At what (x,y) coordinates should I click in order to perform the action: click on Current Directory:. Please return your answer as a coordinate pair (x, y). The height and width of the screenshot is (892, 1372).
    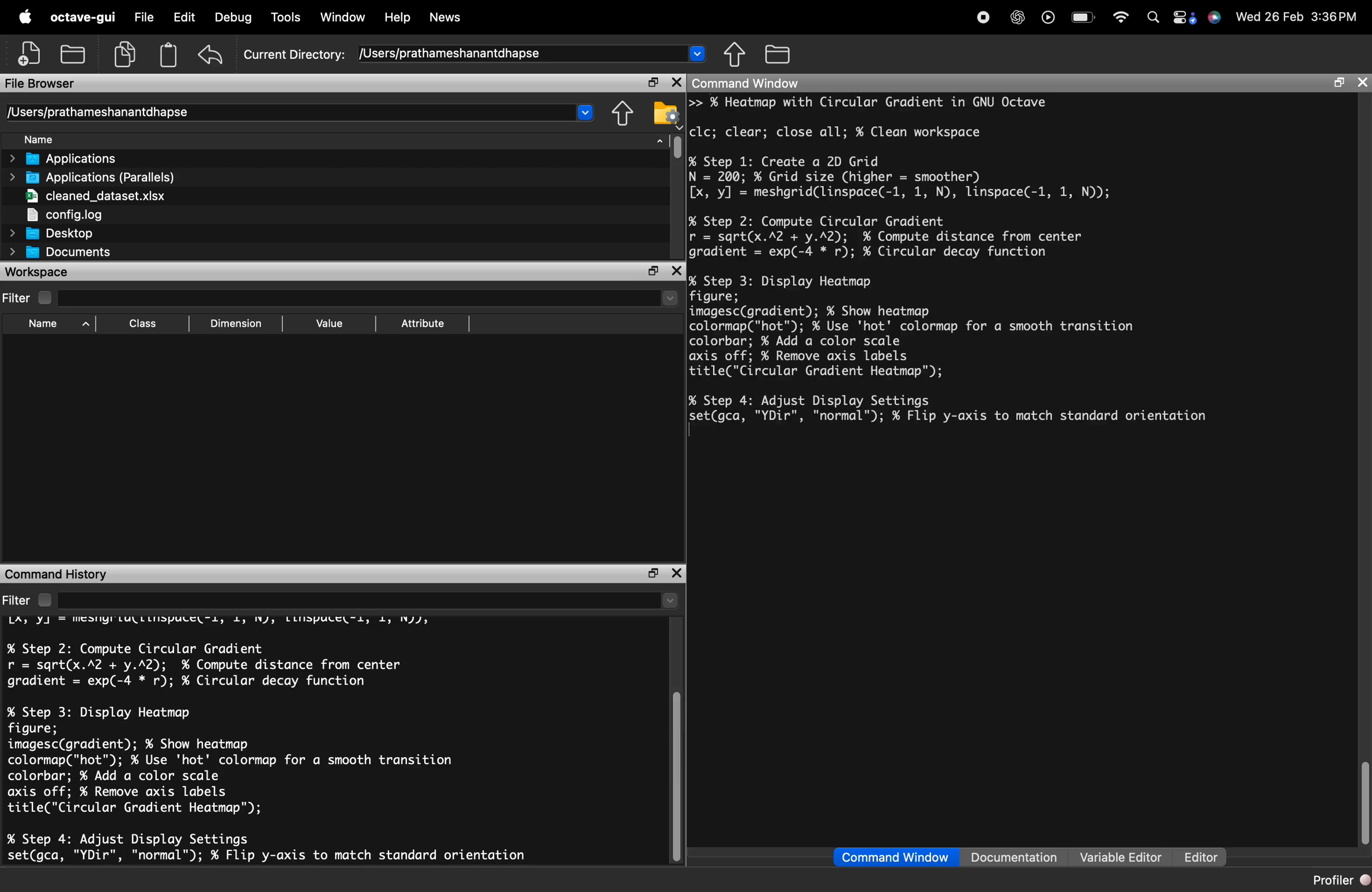
    Looking at the image, I should click on (295, 56).